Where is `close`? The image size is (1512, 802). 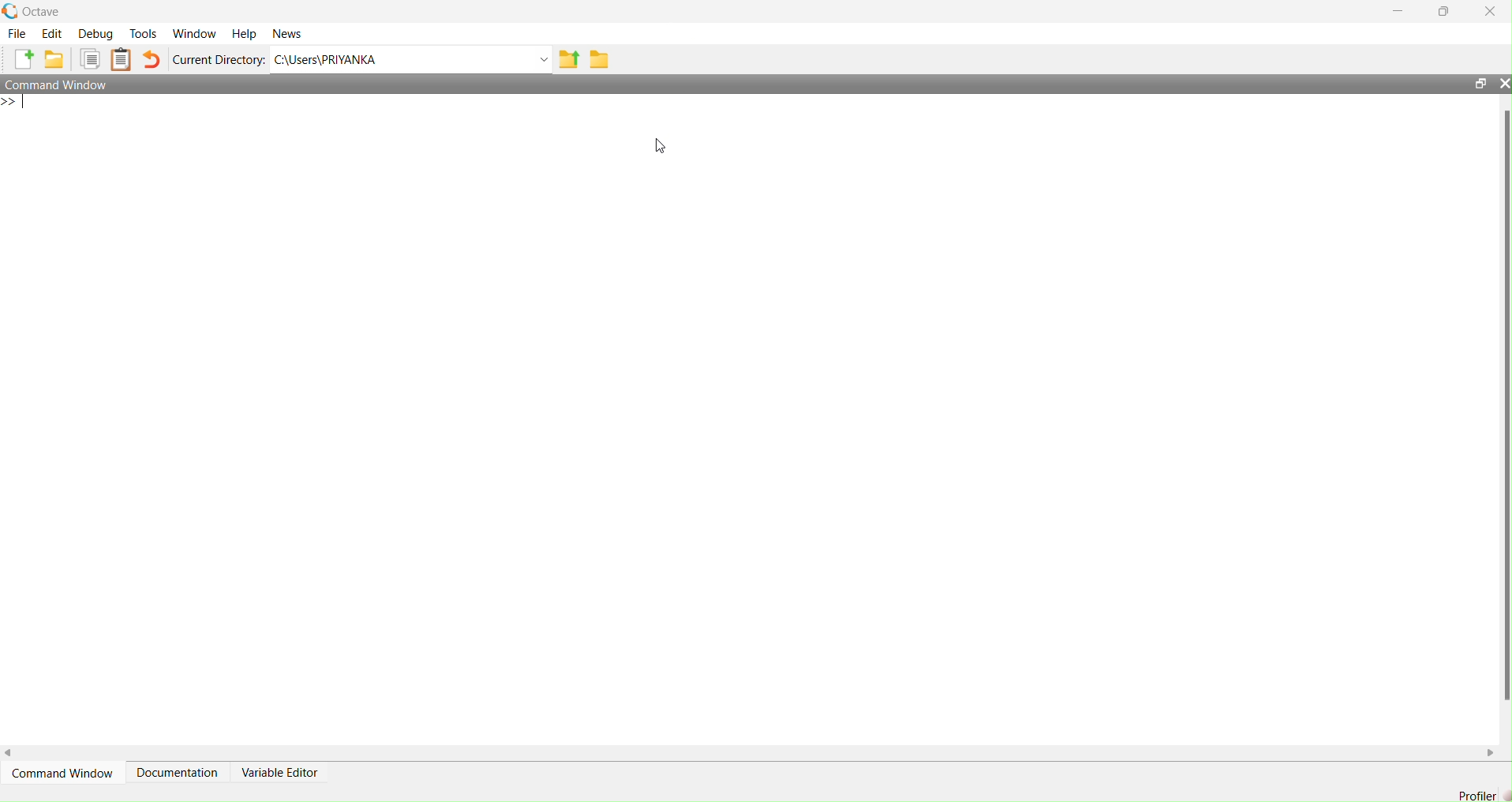 close is located at coordinates (1493, 11).